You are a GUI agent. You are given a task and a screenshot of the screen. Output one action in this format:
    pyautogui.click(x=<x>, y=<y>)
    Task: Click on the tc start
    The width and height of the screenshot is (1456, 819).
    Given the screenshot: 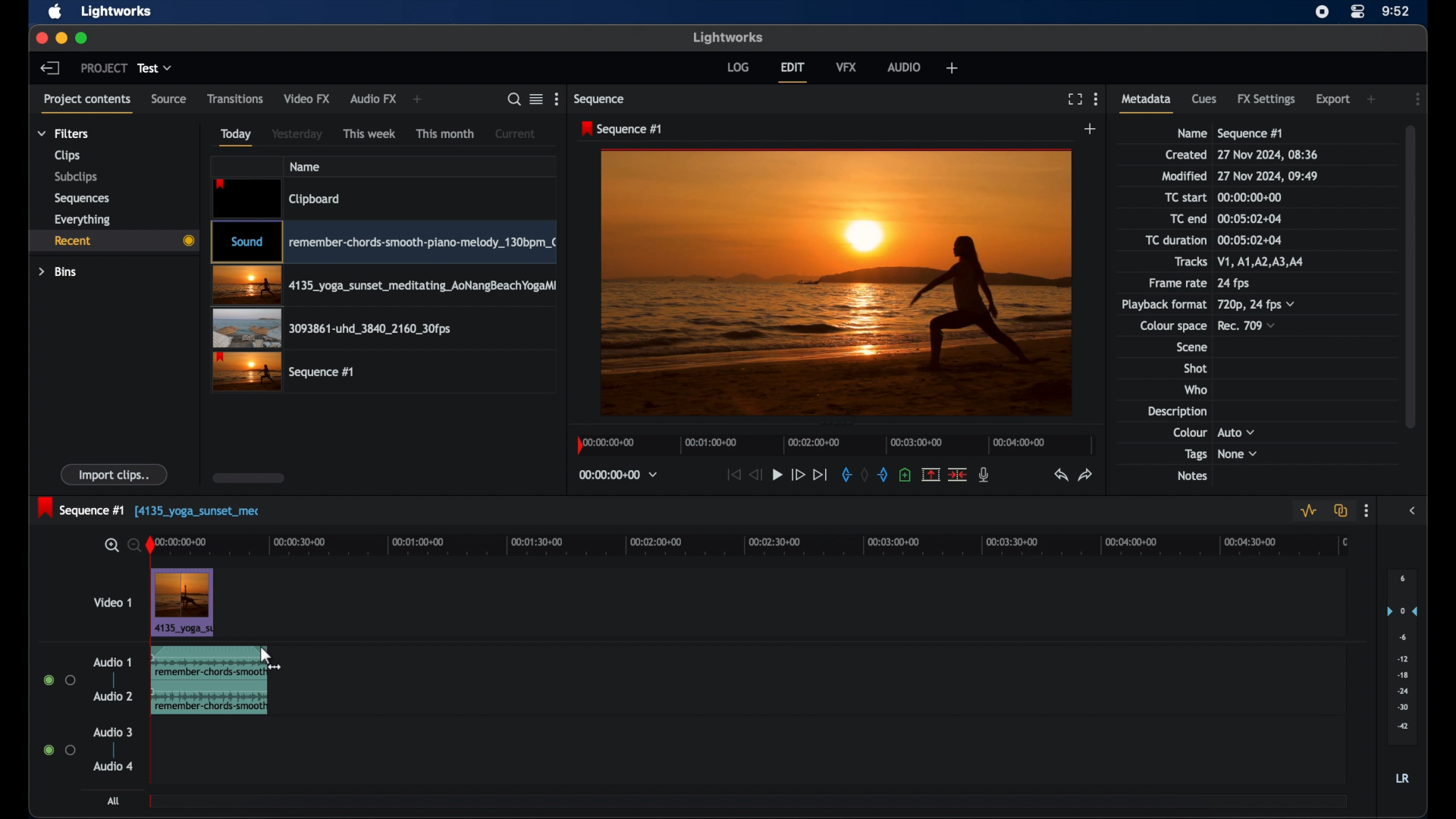 What is the action you would take?
    pyautogui.click(x=1187, y=196)
    